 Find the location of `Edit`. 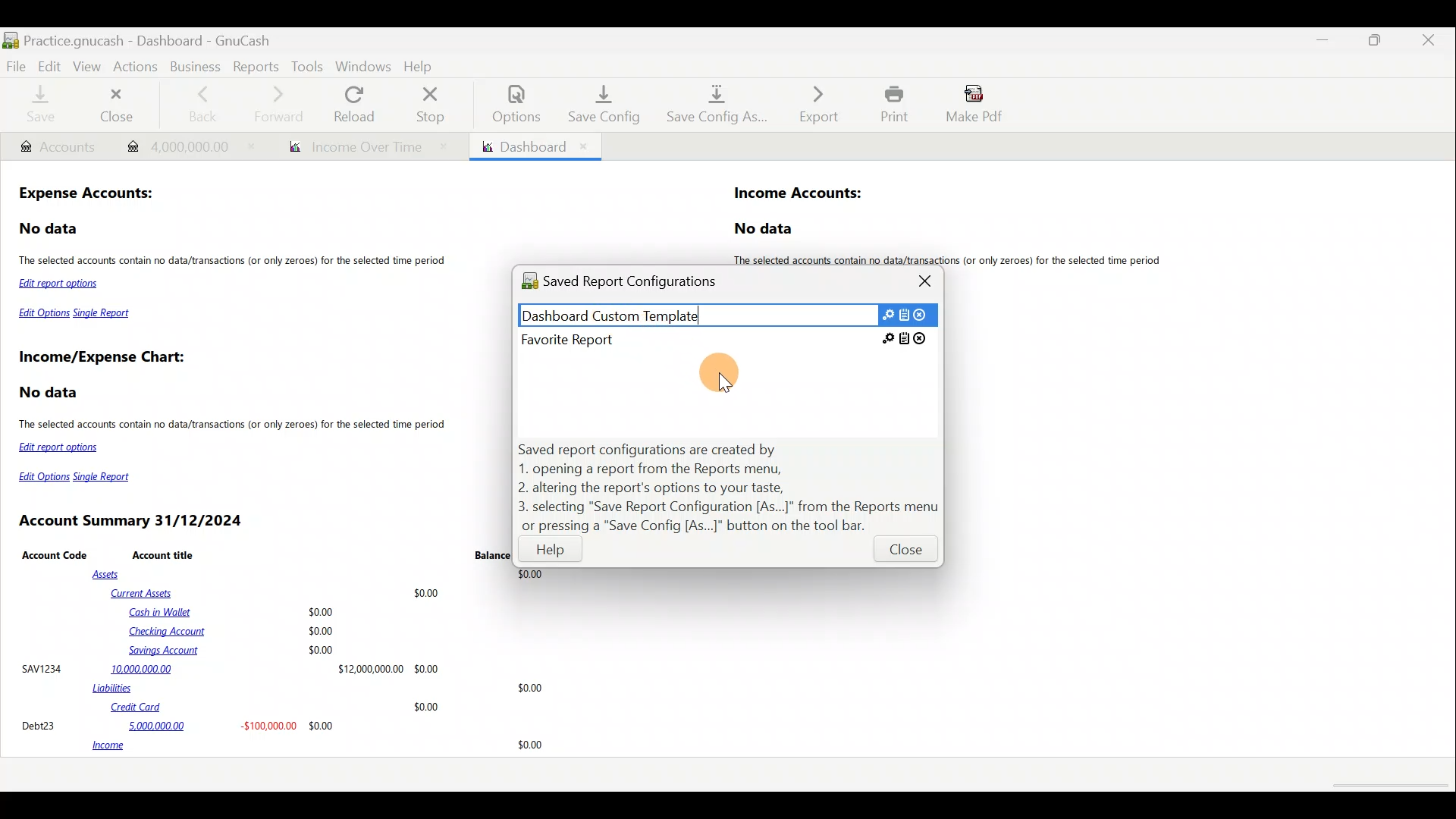

Edit is located at coordinates (49, 65).